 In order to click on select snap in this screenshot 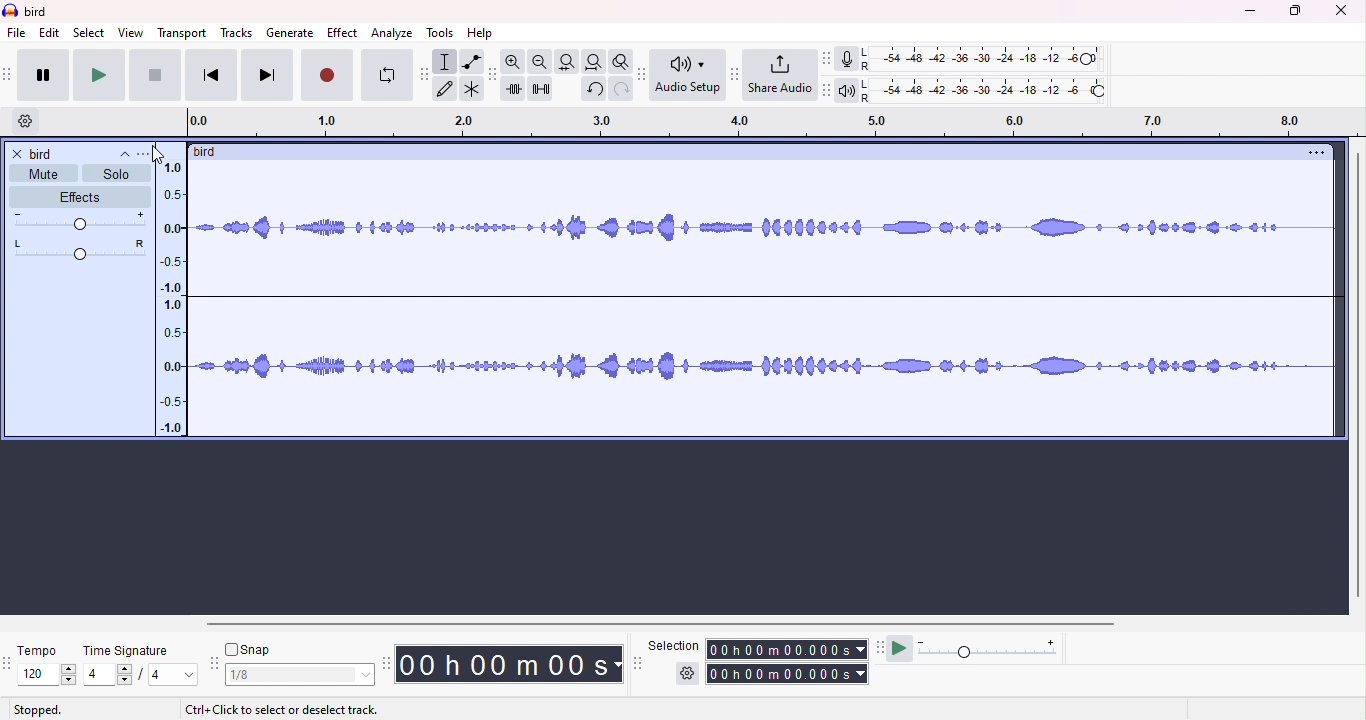, I will do `click(302, 675)`.